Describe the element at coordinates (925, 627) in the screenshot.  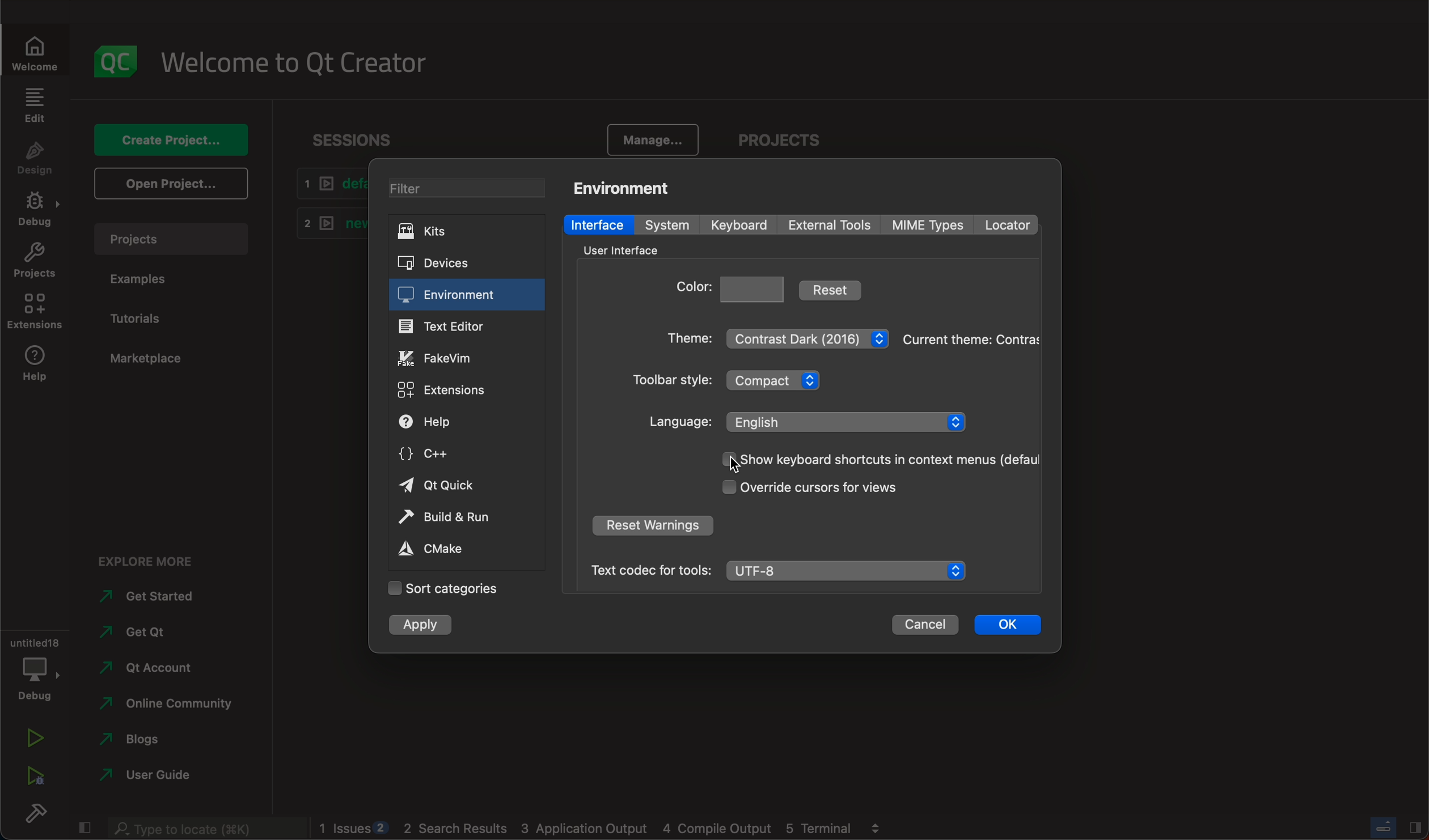
I see `cancel` at that location.